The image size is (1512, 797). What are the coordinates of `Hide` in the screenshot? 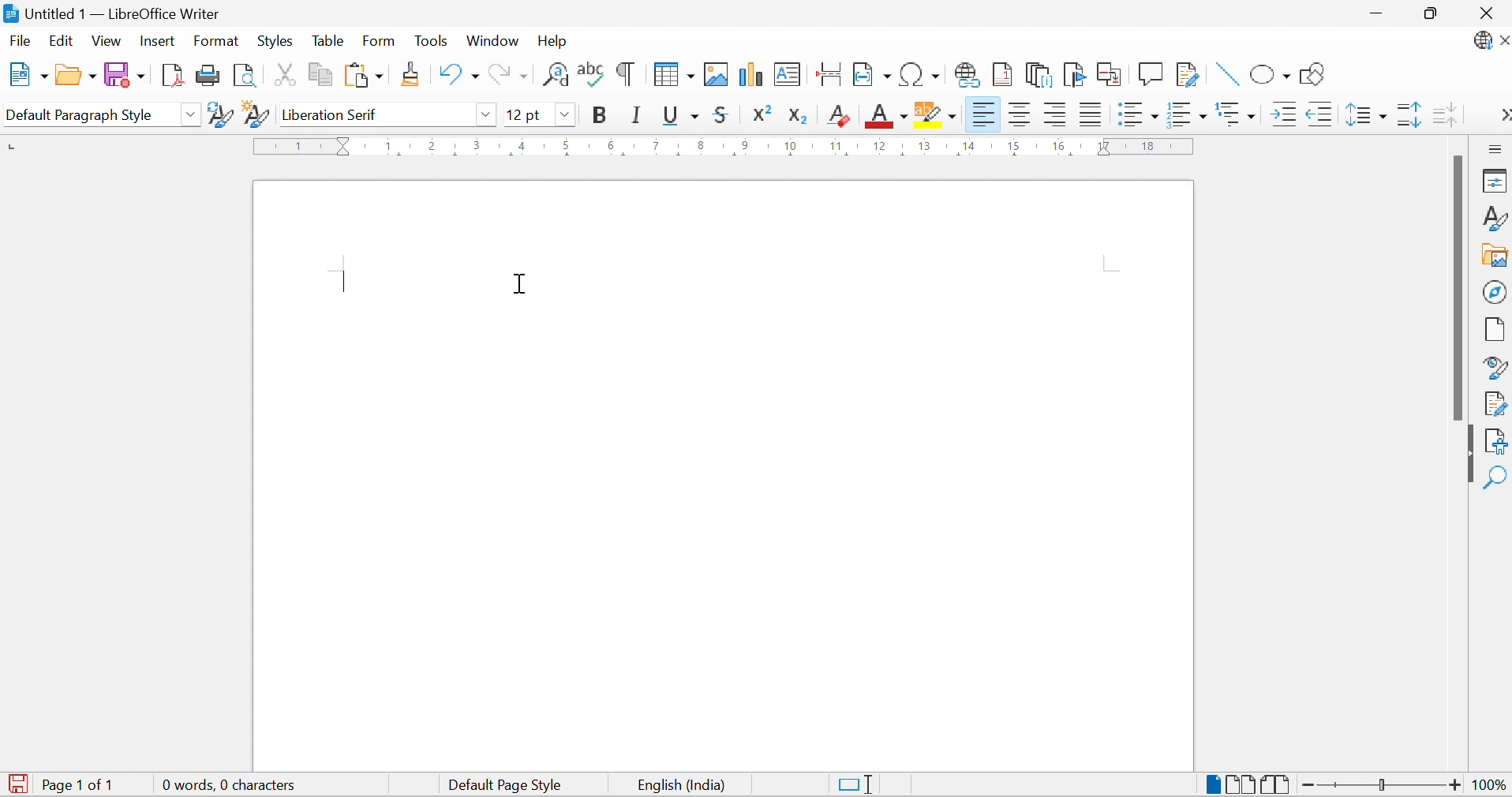 It's located at (1467, 454).